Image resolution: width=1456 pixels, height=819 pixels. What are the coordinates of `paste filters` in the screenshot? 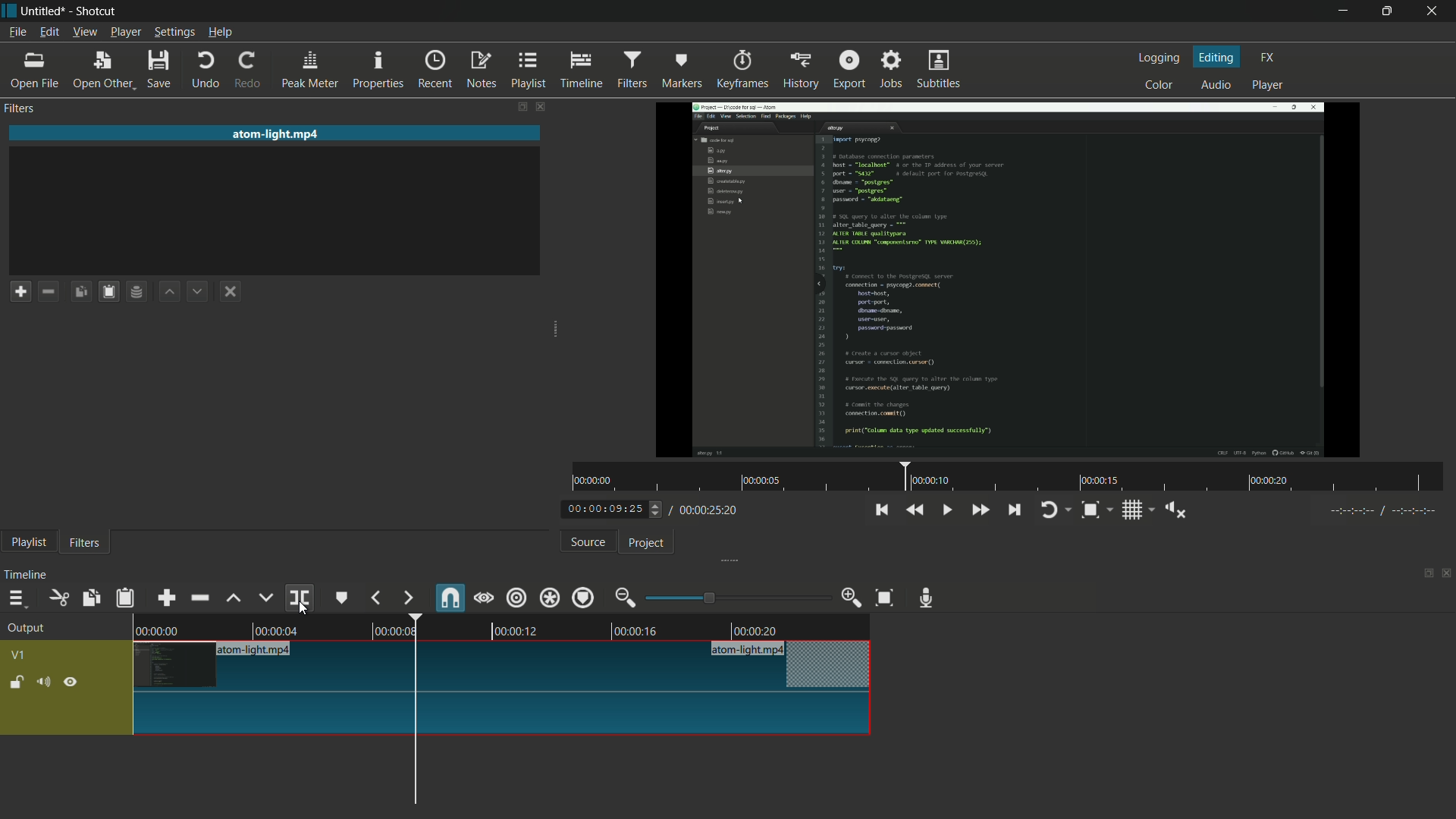 It's located at (111, 291).